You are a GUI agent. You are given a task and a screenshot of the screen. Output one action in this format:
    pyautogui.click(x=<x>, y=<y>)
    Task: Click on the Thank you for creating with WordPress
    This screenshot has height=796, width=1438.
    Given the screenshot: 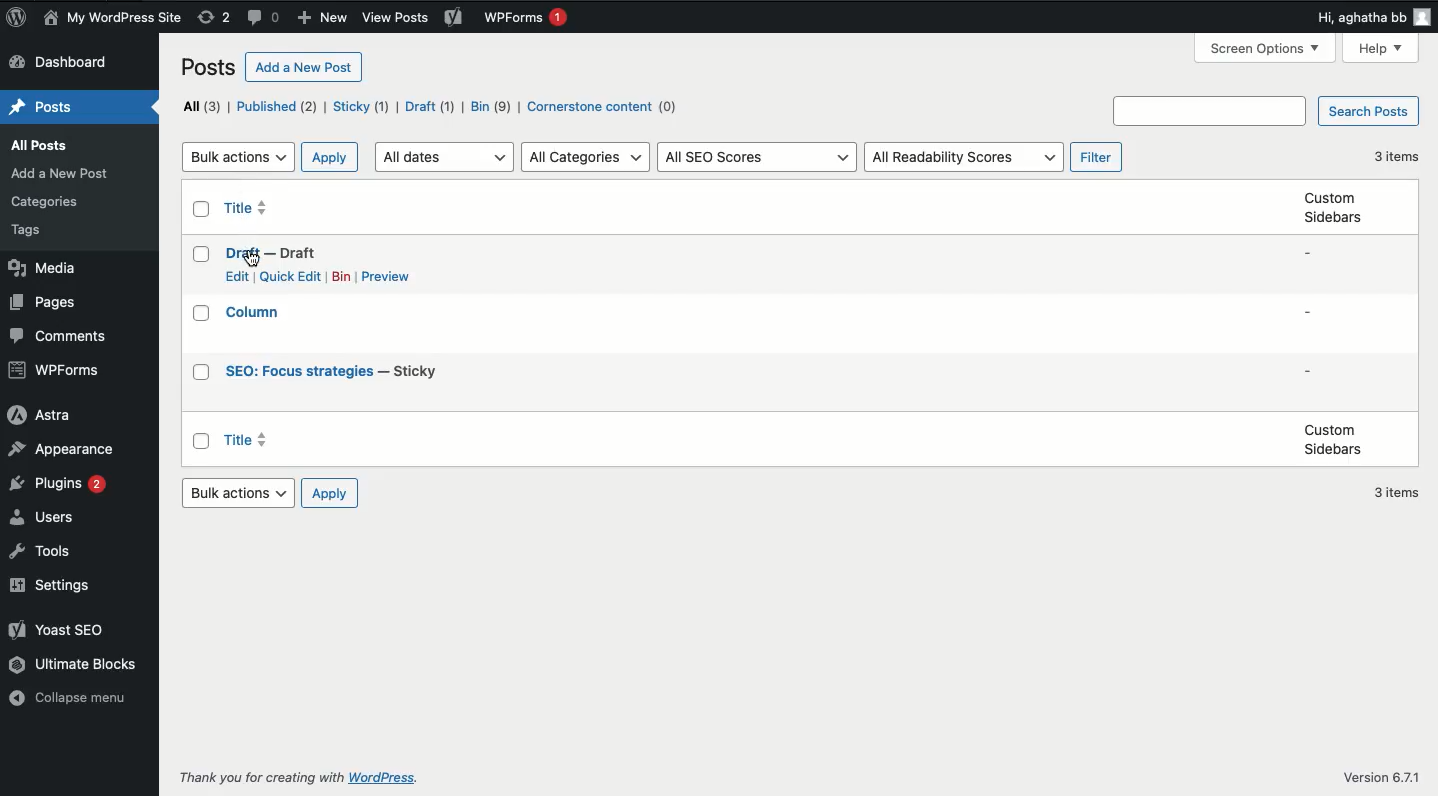 What is the action you would take?
    pyautogui.click(x=261, y=777)
    